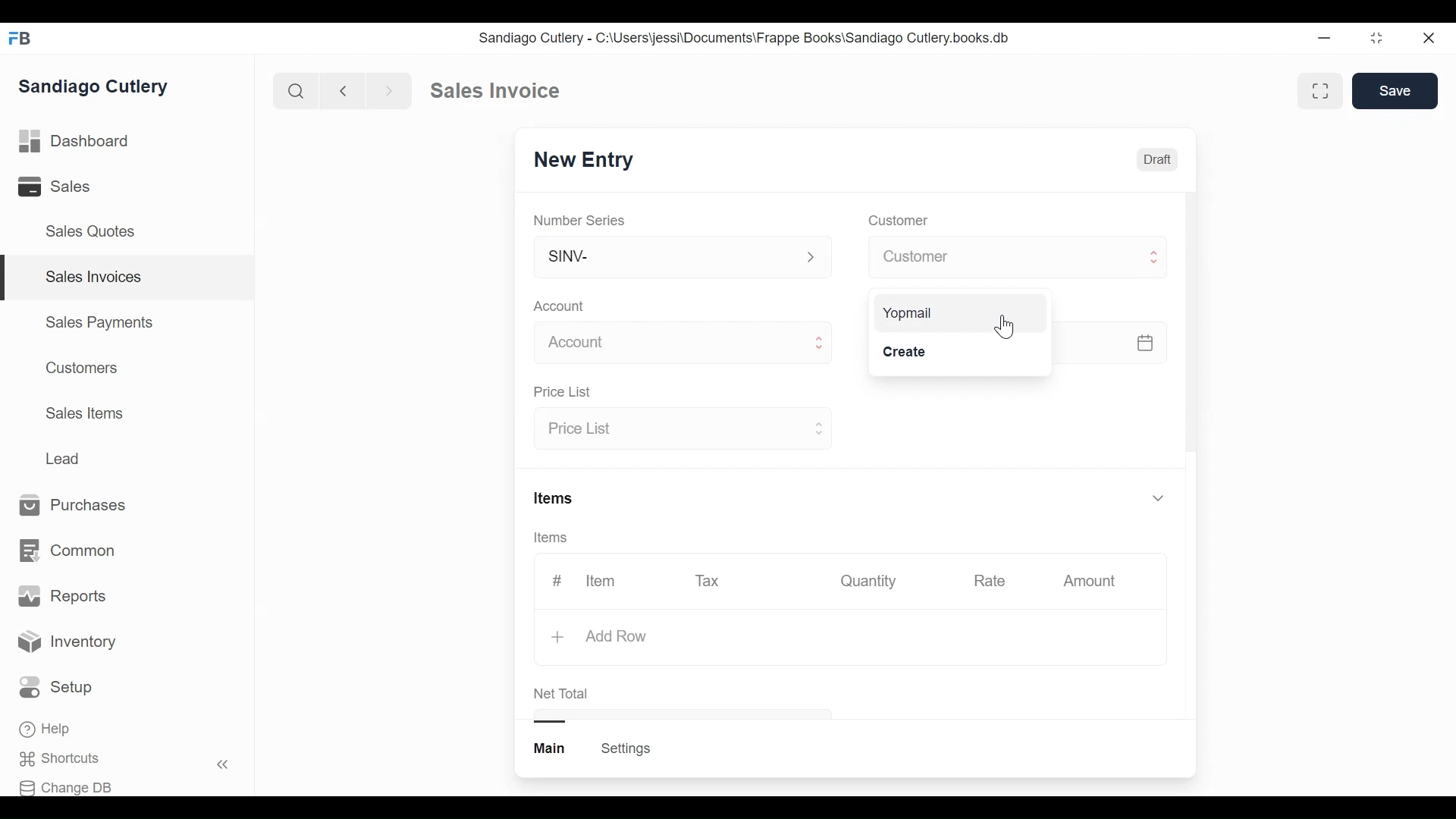 Image resolution: width=1456 pixels, height=819 pixels. Describe the element at coordinates (1144, 342) in the screenshot. I see `calendar` at that location.